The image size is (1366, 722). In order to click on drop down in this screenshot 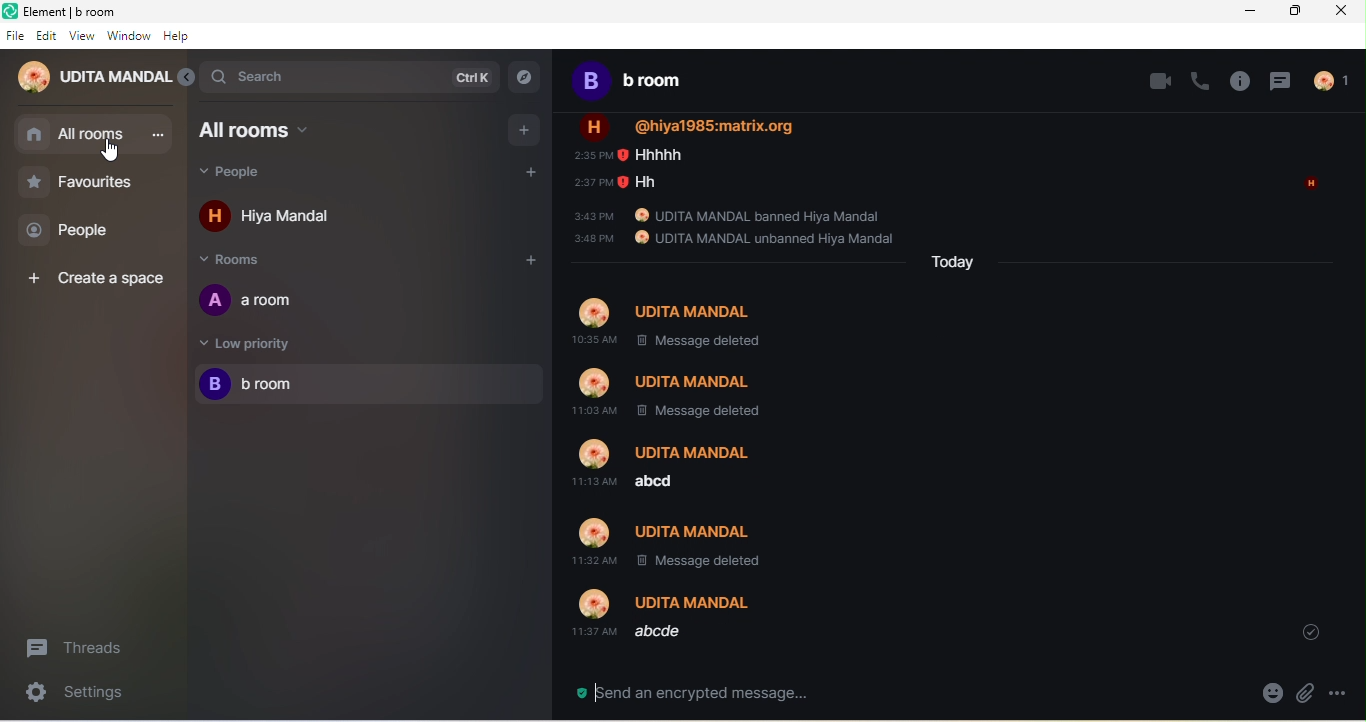, I will do `click(1312, 631)`.